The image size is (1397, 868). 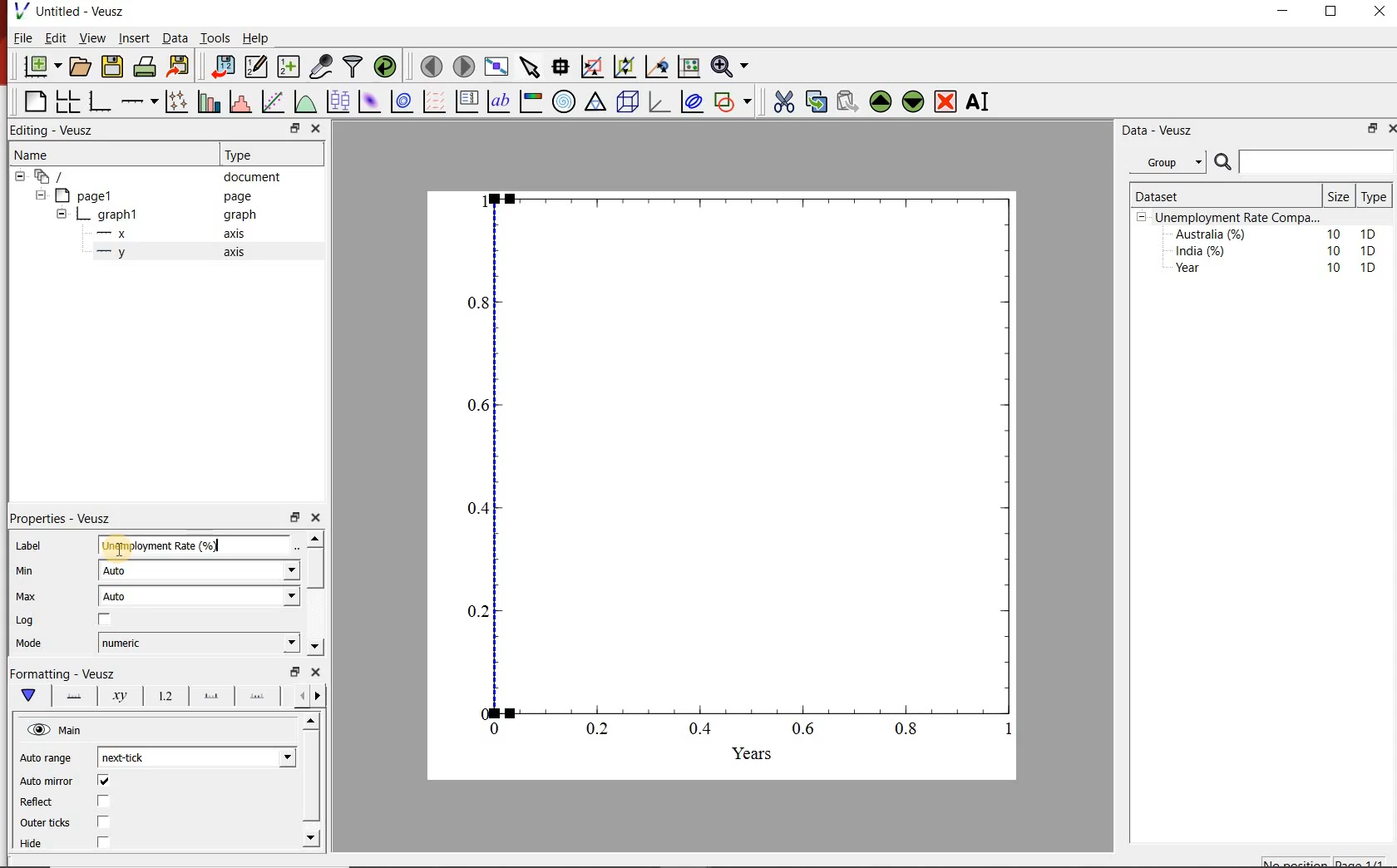 I want to click on checkbox, so click(x=106, y=801).